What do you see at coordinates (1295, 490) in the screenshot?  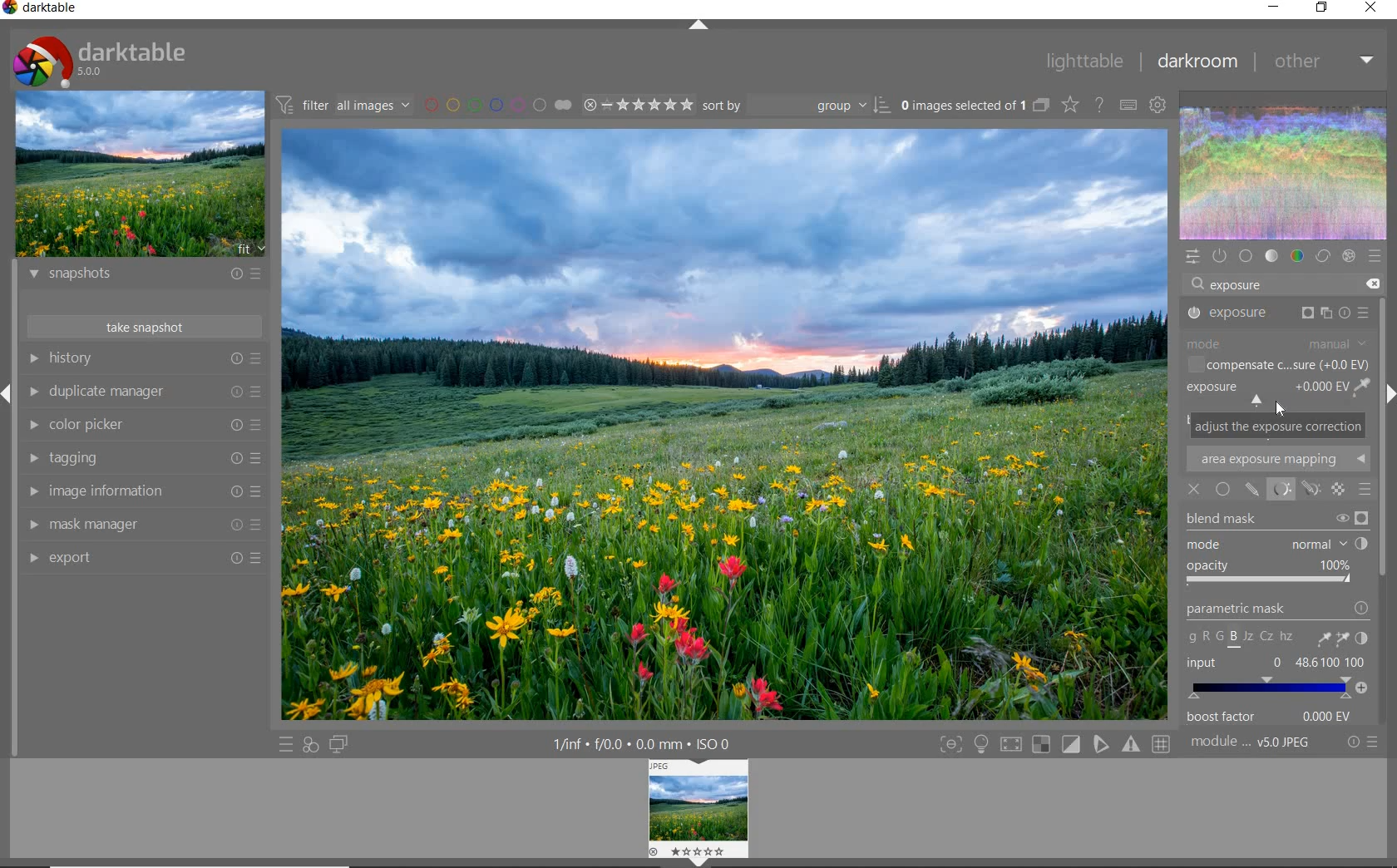 I see `MASK OPTIONS` at bounding box center [1295, 490].